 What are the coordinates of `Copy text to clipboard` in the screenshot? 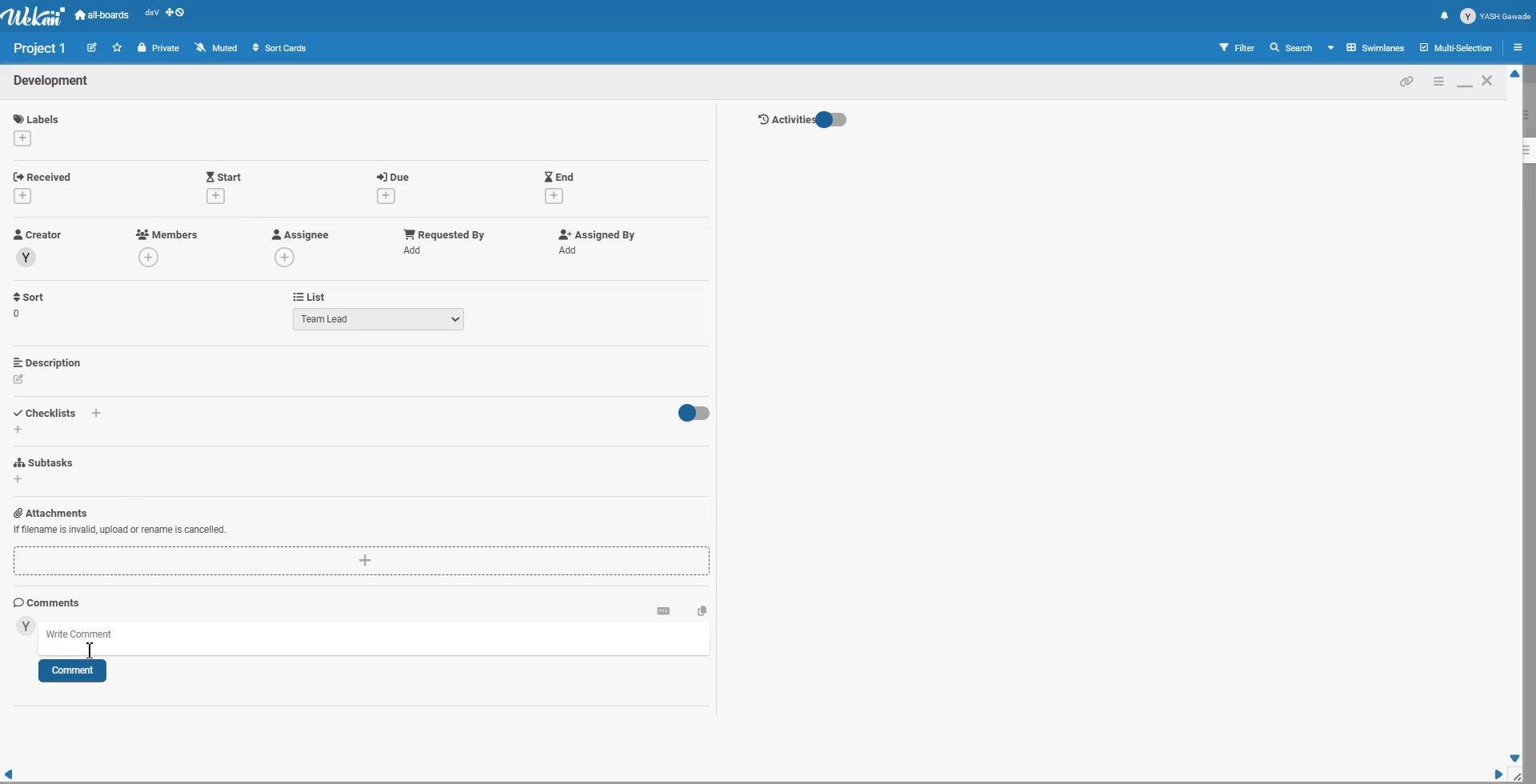 It's located at (702, 610).